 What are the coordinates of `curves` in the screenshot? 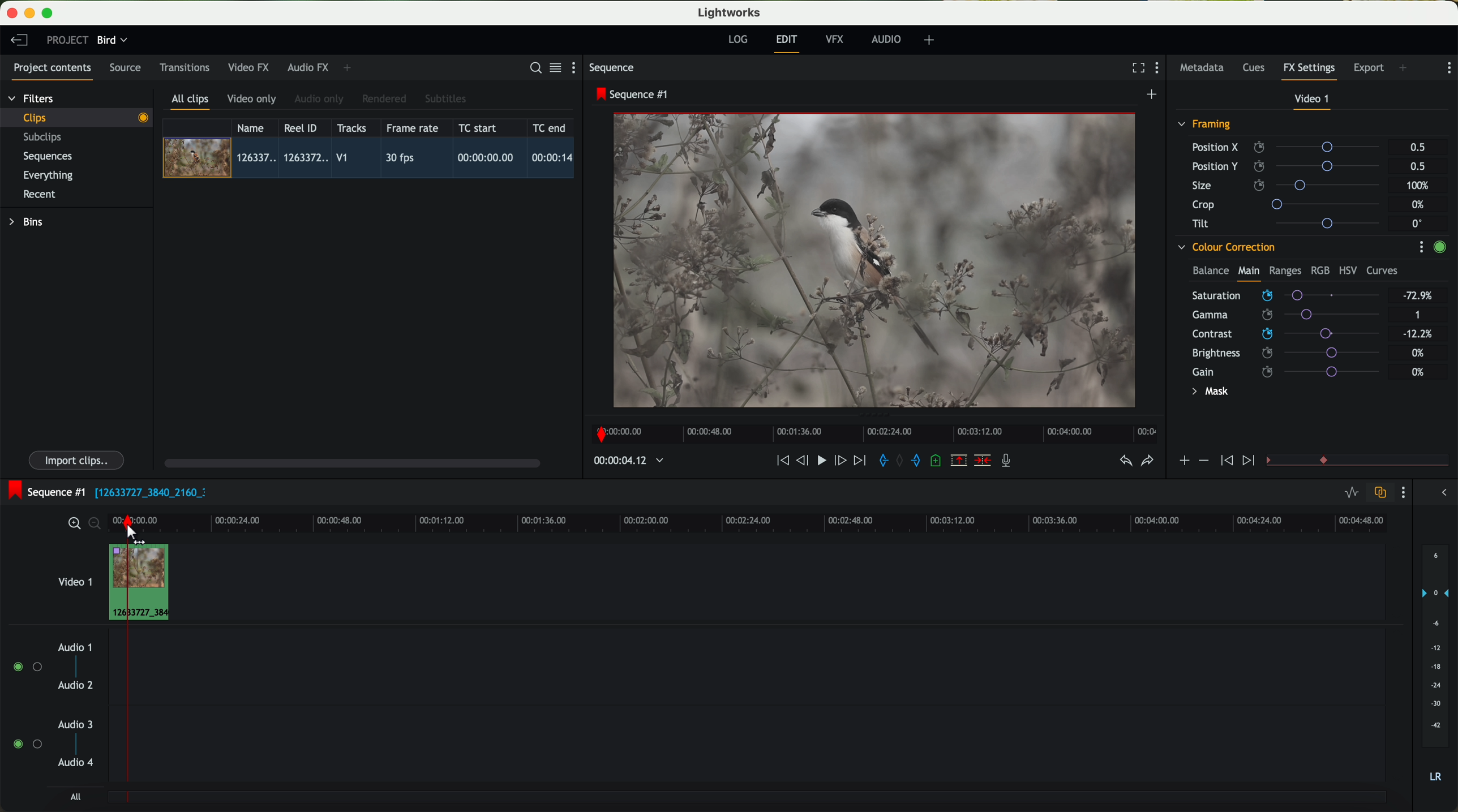 It's located at (1382, 271).